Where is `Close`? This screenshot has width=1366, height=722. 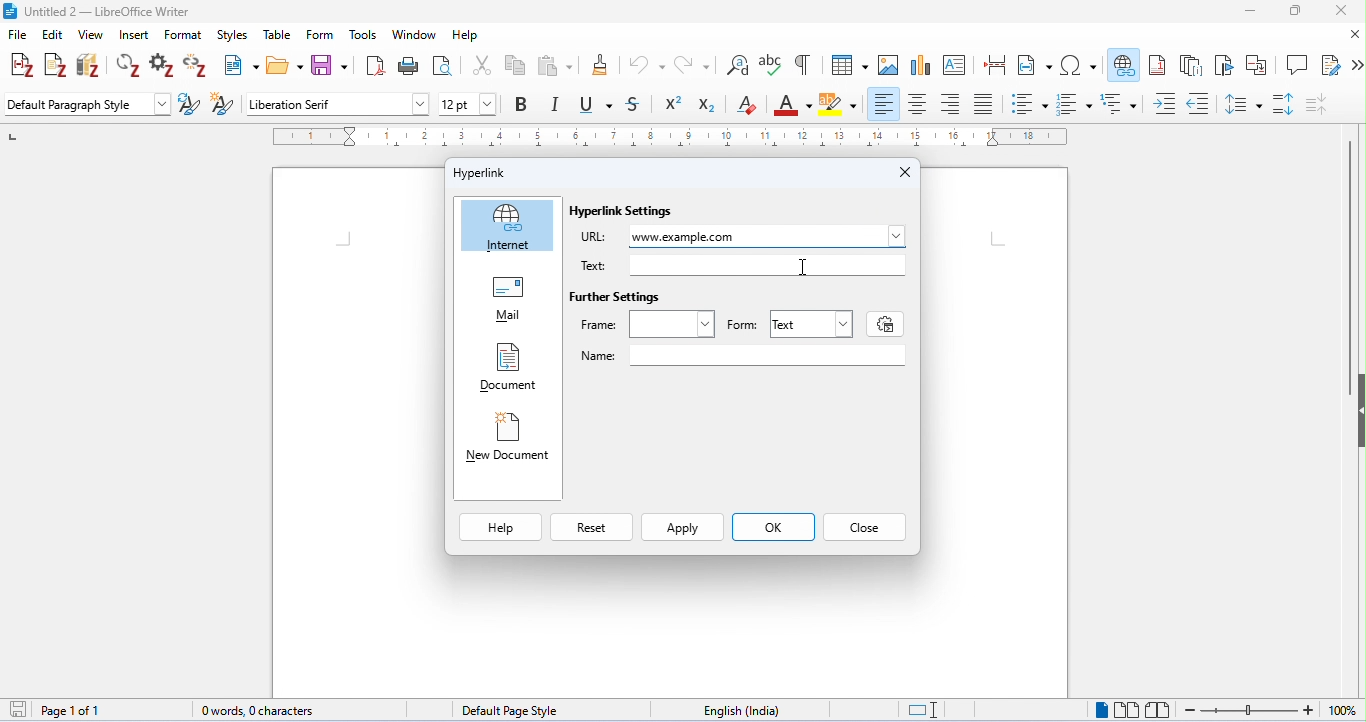
Close is located at coordinates (871, 526).